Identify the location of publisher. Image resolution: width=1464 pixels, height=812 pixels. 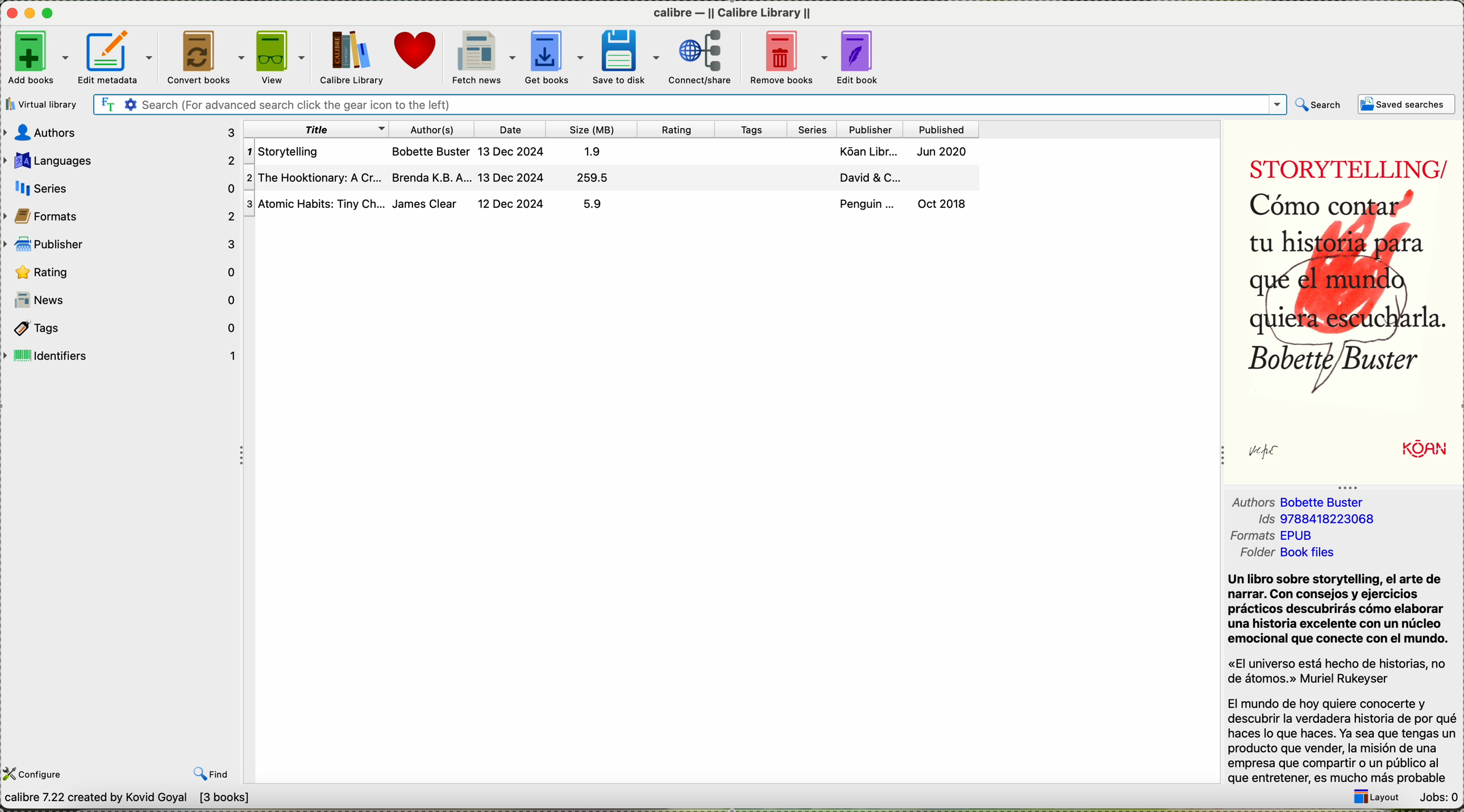
(122, 244).